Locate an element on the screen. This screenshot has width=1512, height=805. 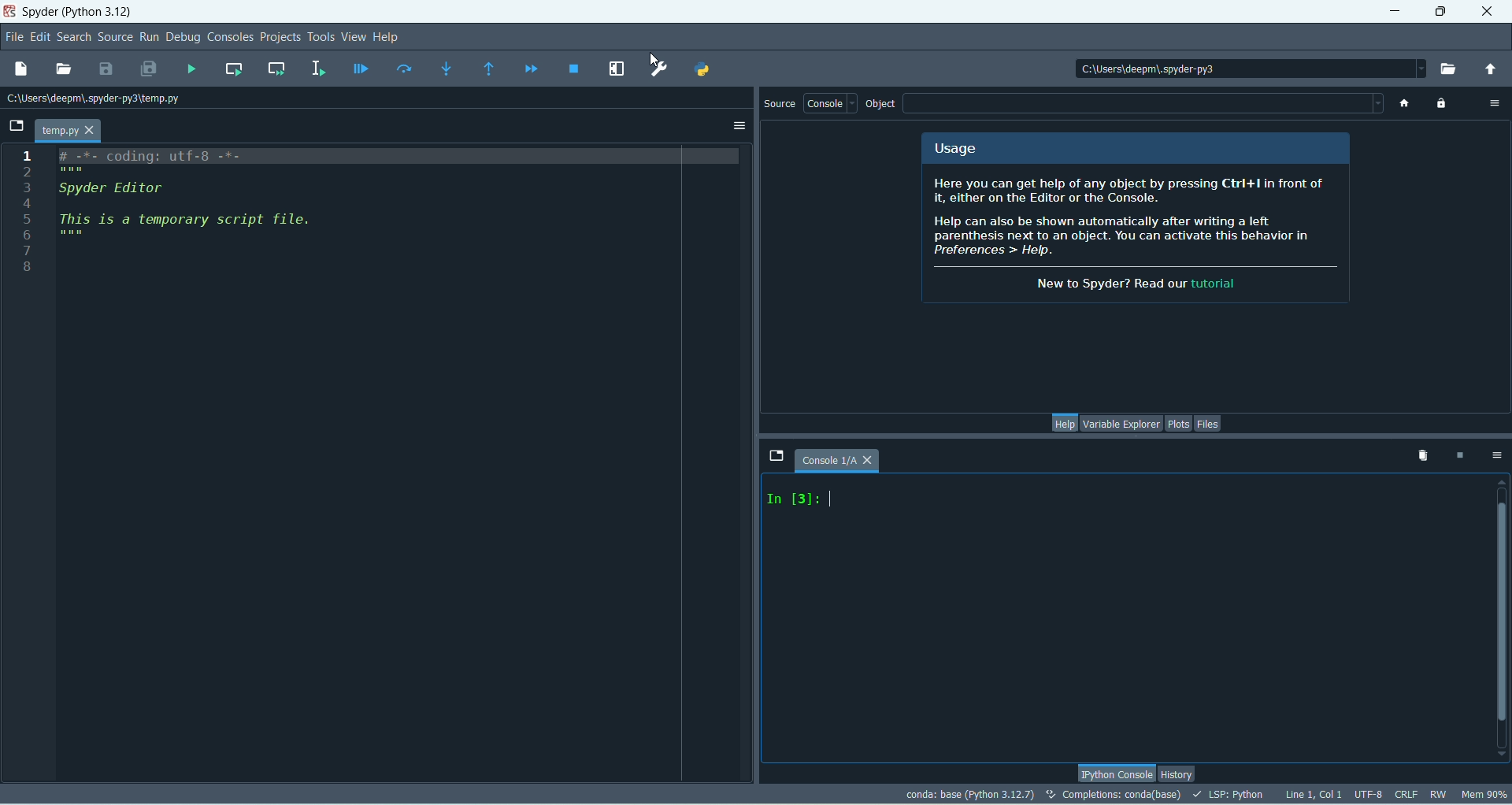
help is located at coordinates (1062, 421).